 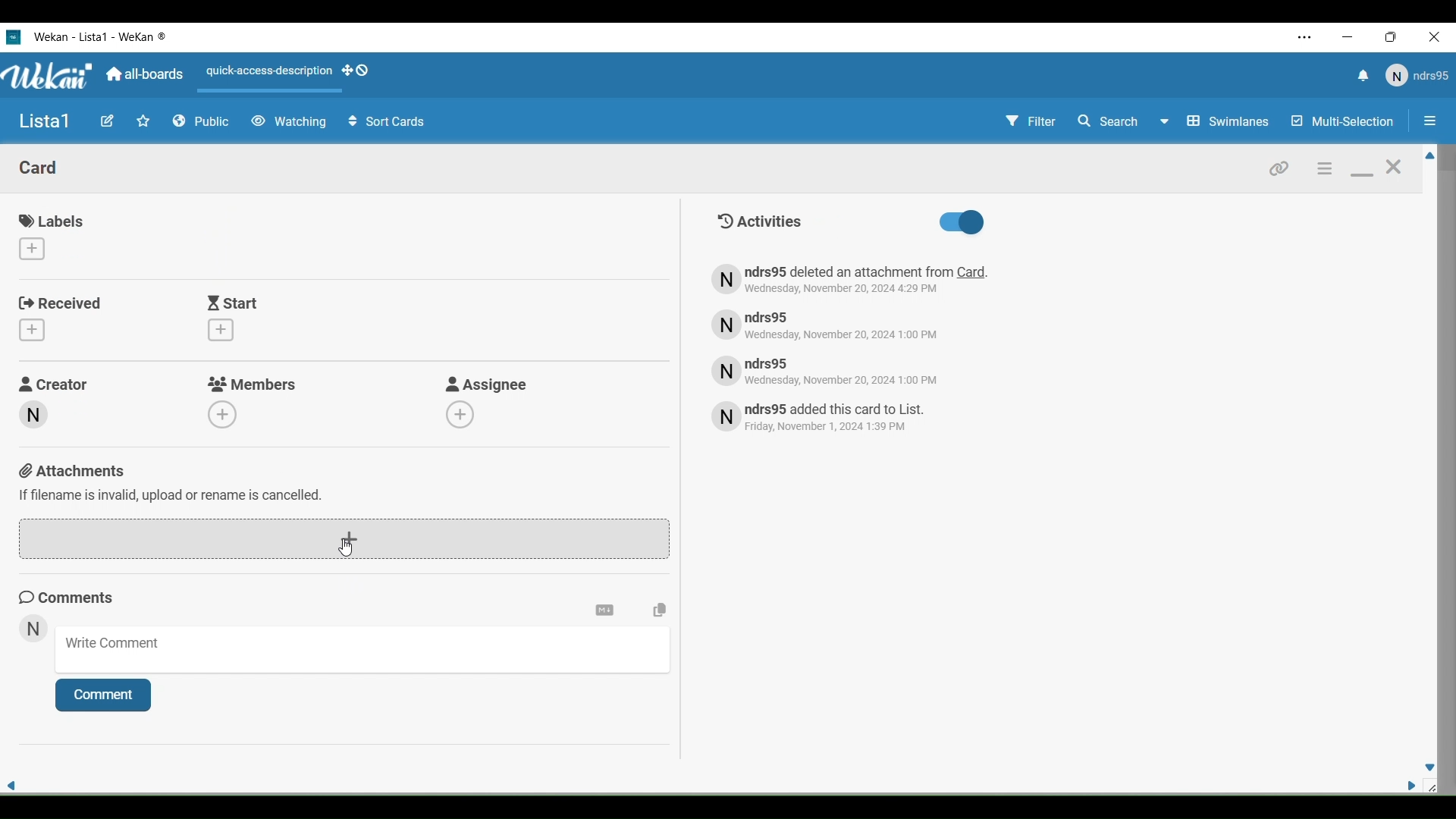 I want to click on Minimize, so click(x=1349, y=37).